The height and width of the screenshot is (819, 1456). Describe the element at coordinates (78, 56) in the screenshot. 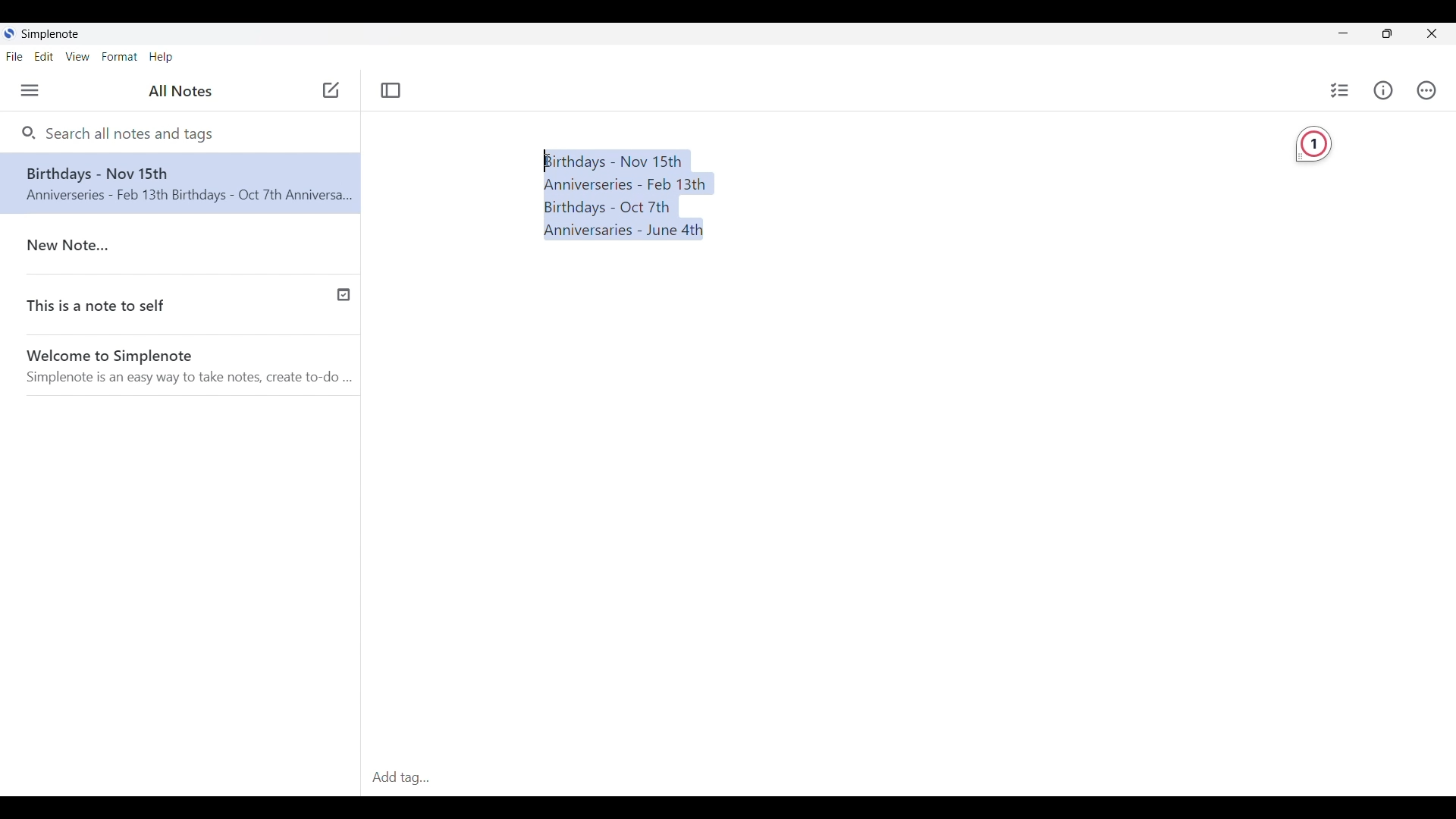

I see `View menu` at that location.